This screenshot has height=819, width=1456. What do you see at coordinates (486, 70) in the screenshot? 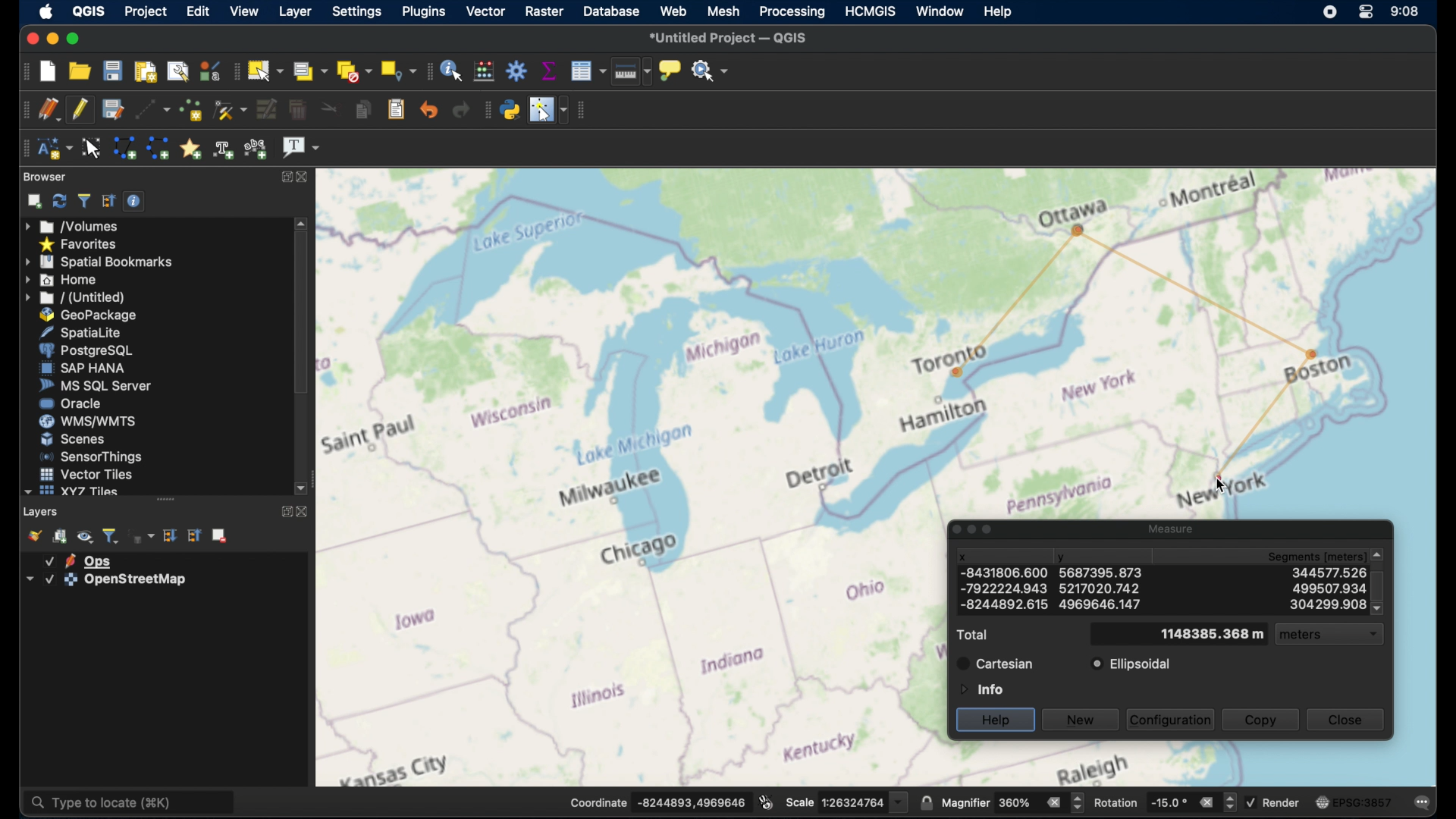
I see `open field calculator` at bounding box center [486, 70].